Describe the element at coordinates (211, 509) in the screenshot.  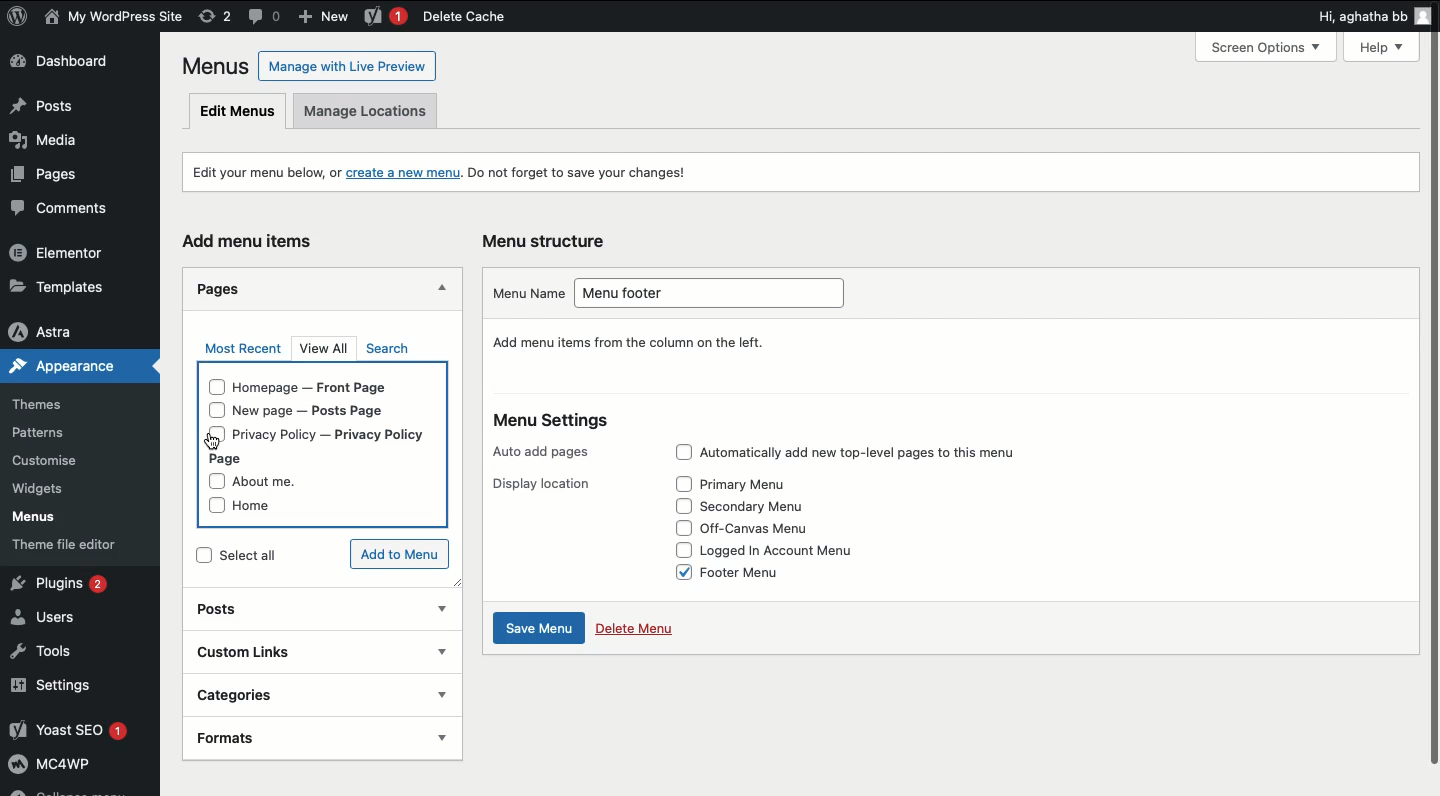
I see `checkbox` at that location.